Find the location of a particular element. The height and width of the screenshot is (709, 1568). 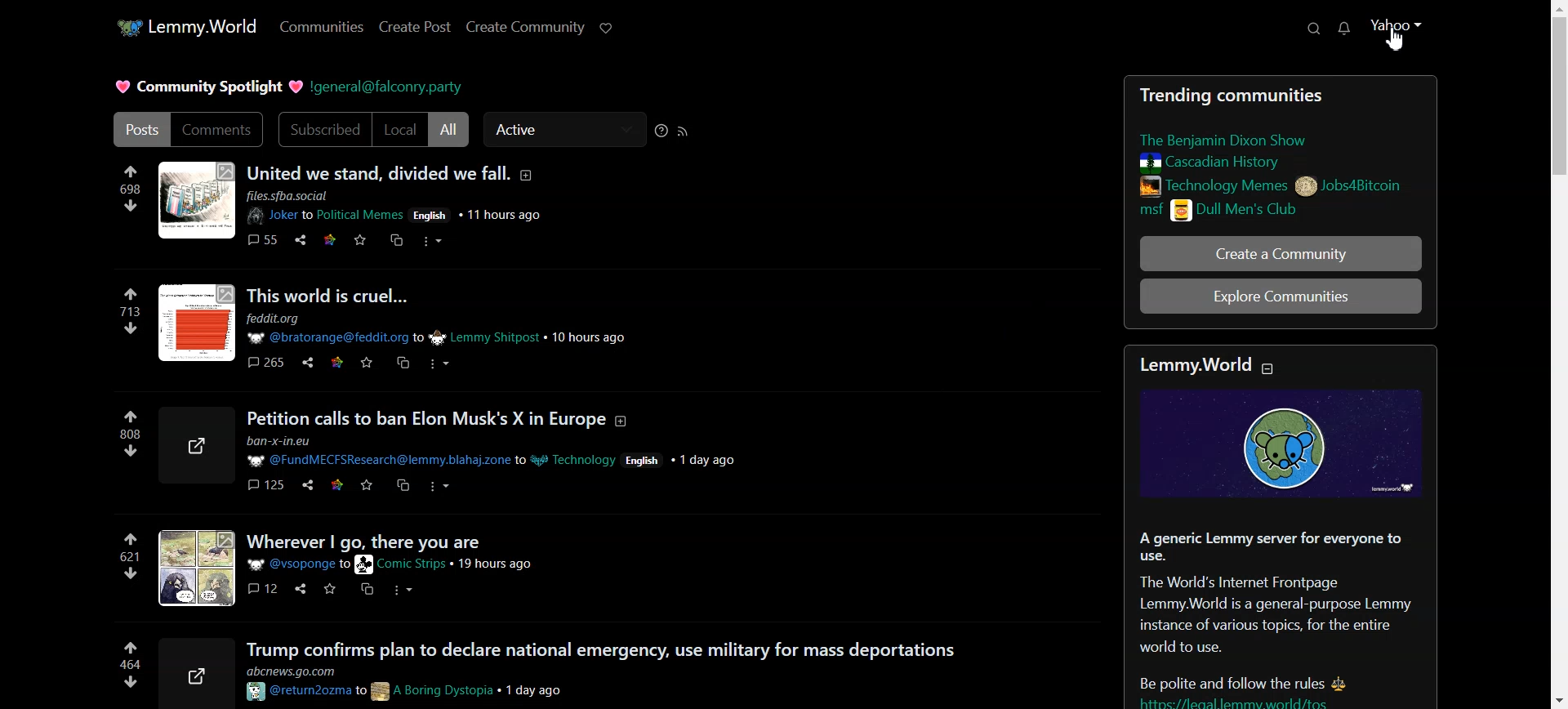

Local is located at coordinates (400, 130).